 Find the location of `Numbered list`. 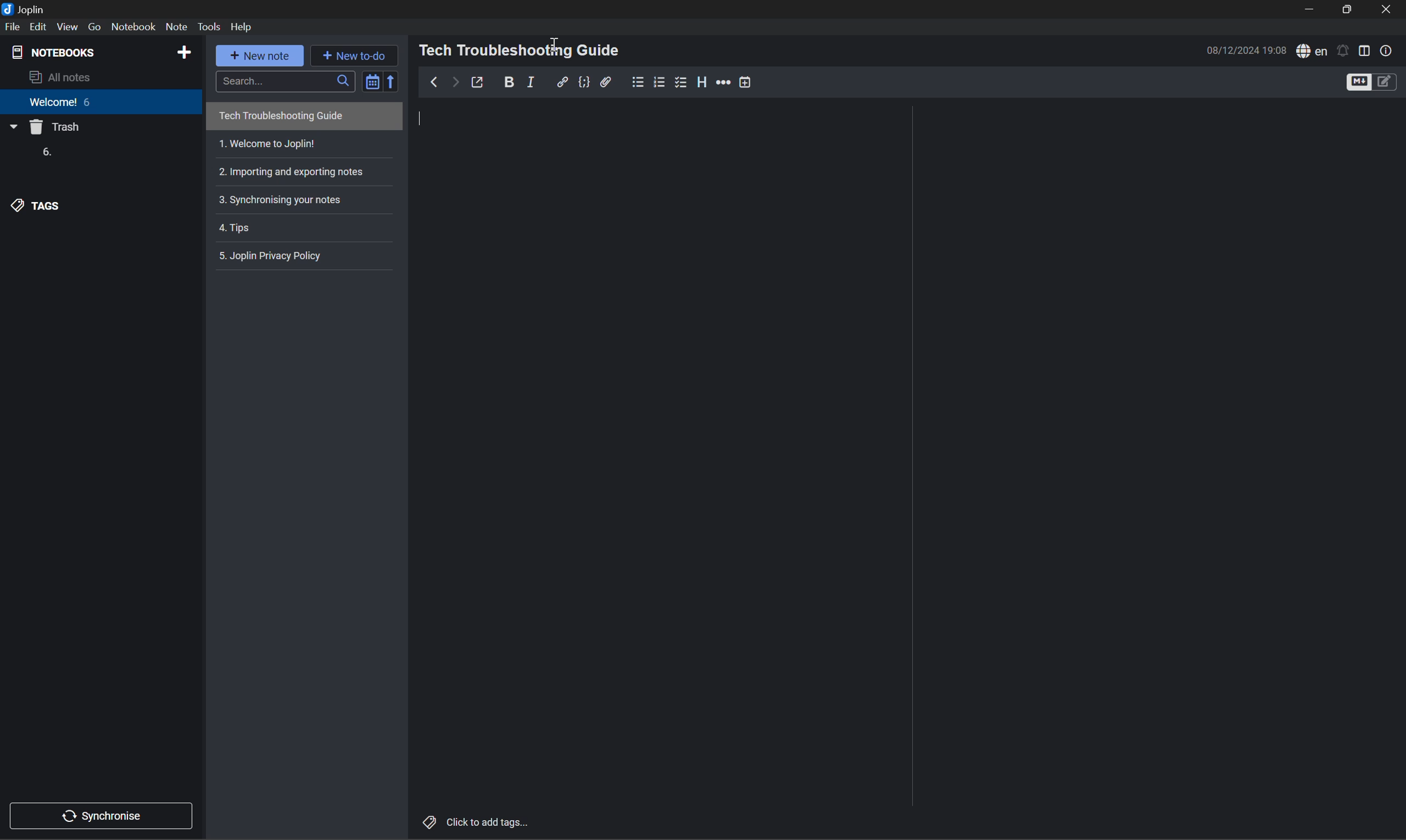

Numbered list is located at coordinates (660, 82).